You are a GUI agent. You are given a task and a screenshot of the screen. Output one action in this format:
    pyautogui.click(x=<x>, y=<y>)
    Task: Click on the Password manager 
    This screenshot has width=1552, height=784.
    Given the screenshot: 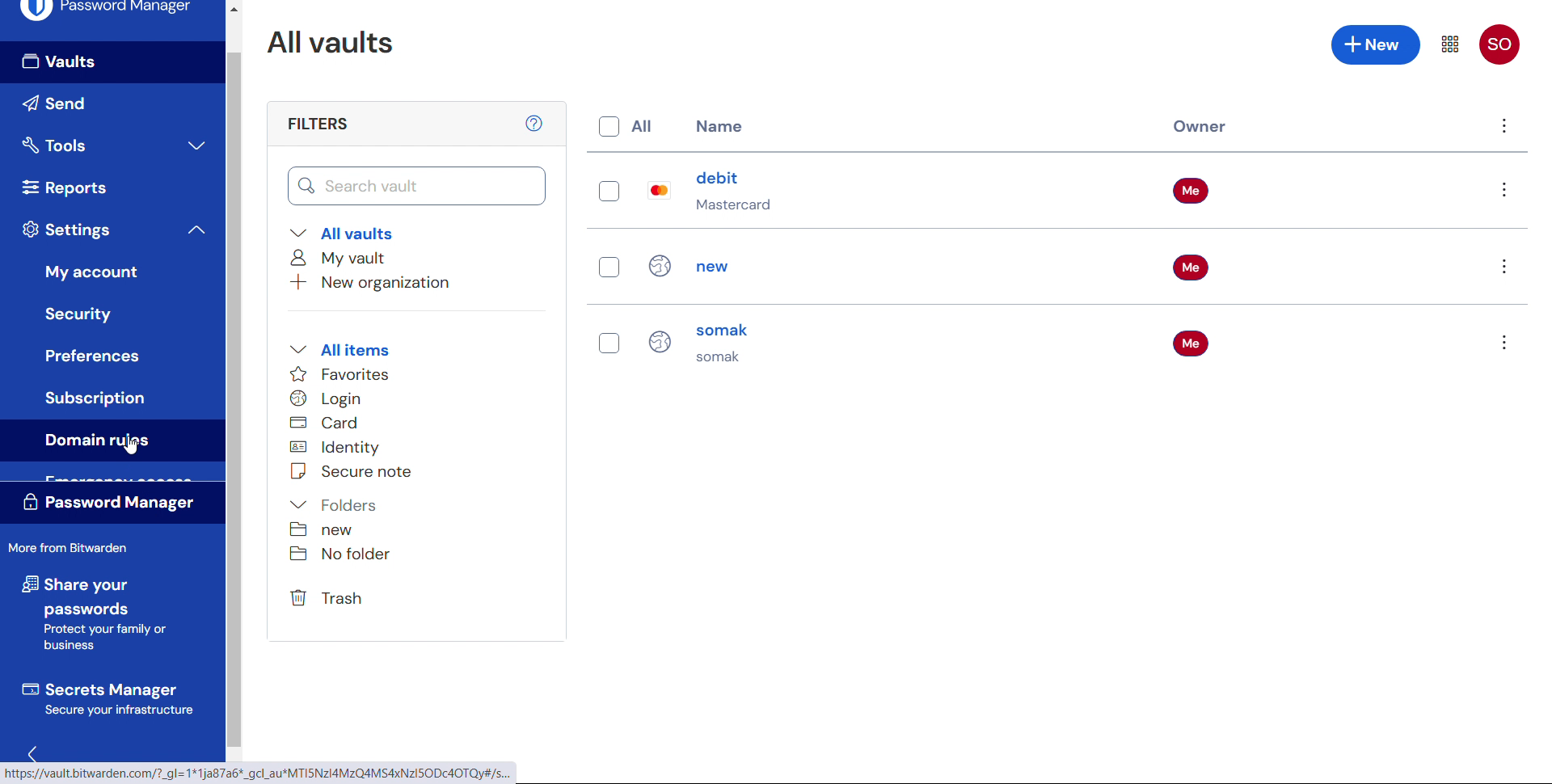 What is the action you would take?
    pyautogui.click(x=113, y=504)
    